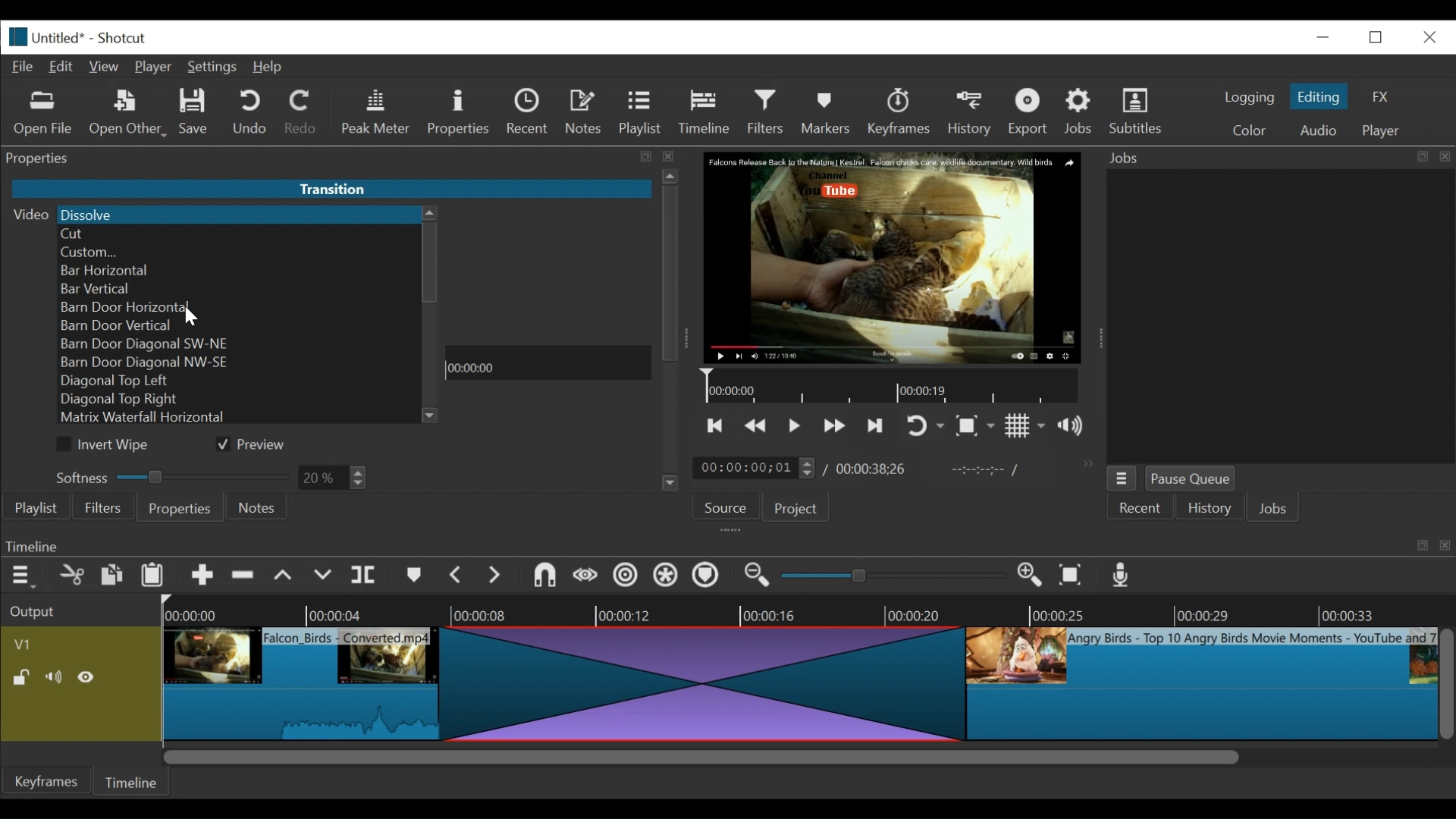  What do you see at coordinates (104, 508) in the screenshot?
I see `Filters` at bounding box center [104, 508].